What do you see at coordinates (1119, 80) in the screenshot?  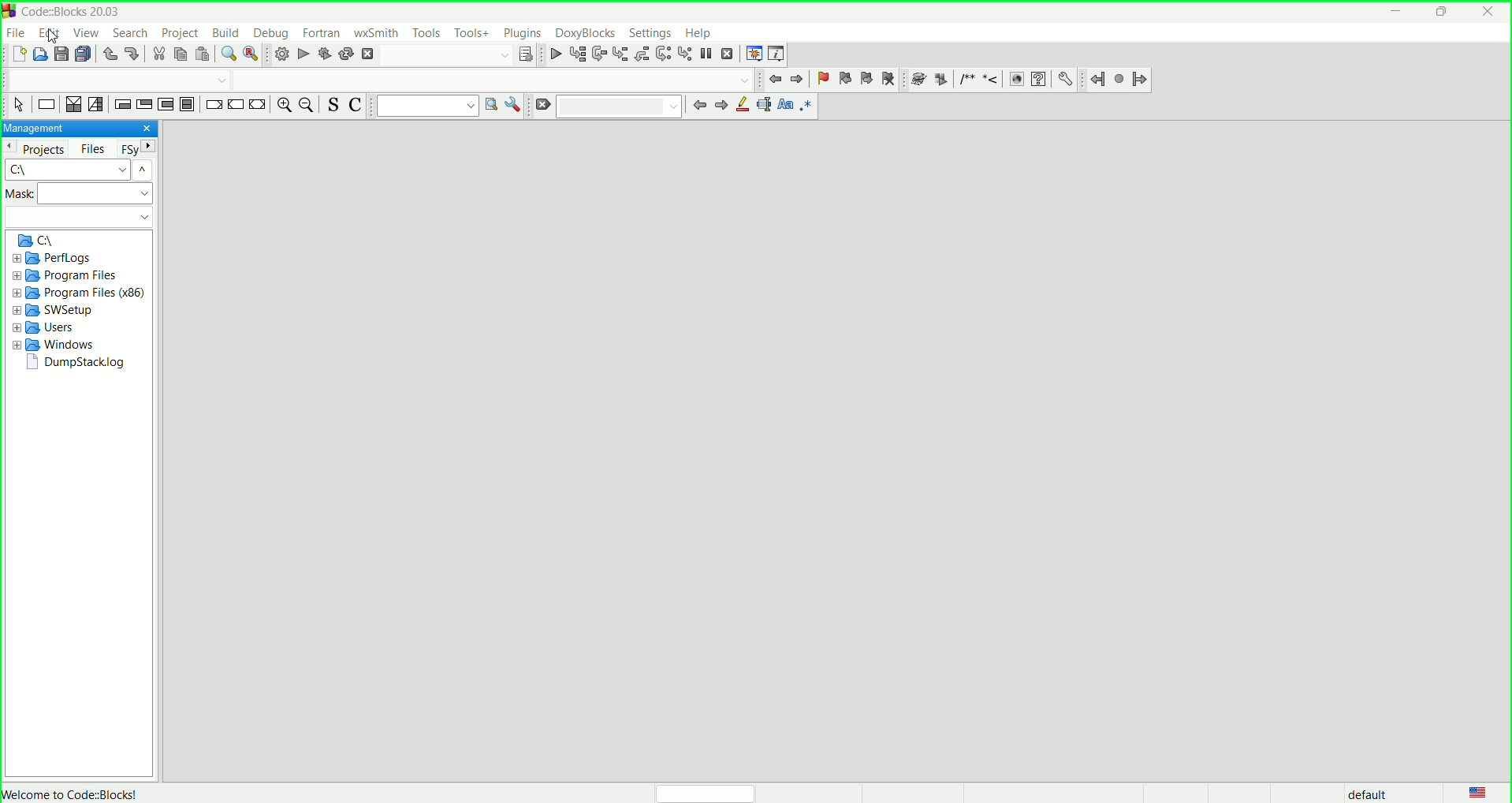 I see `last jump` at bounding box center [1119, 80].